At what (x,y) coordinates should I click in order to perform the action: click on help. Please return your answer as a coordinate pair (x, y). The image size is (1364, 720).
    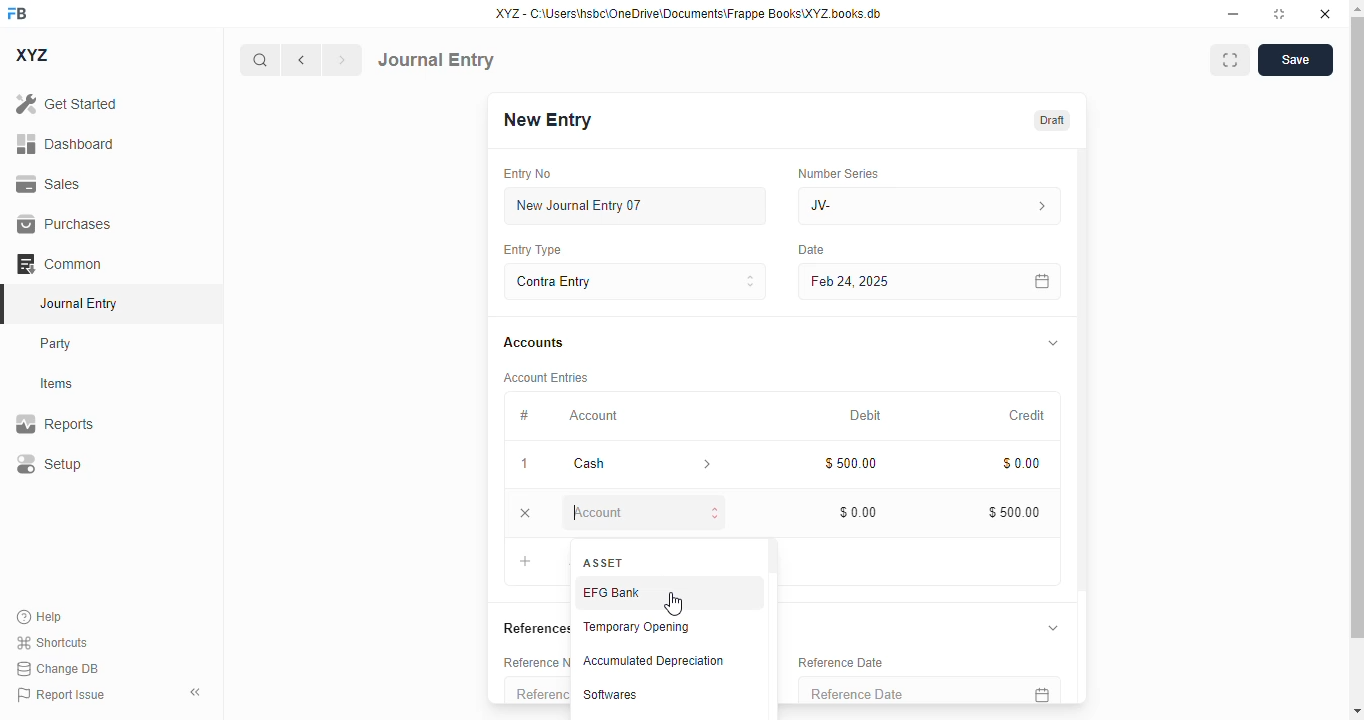
    Looking at the image, I should click on (40, 617).